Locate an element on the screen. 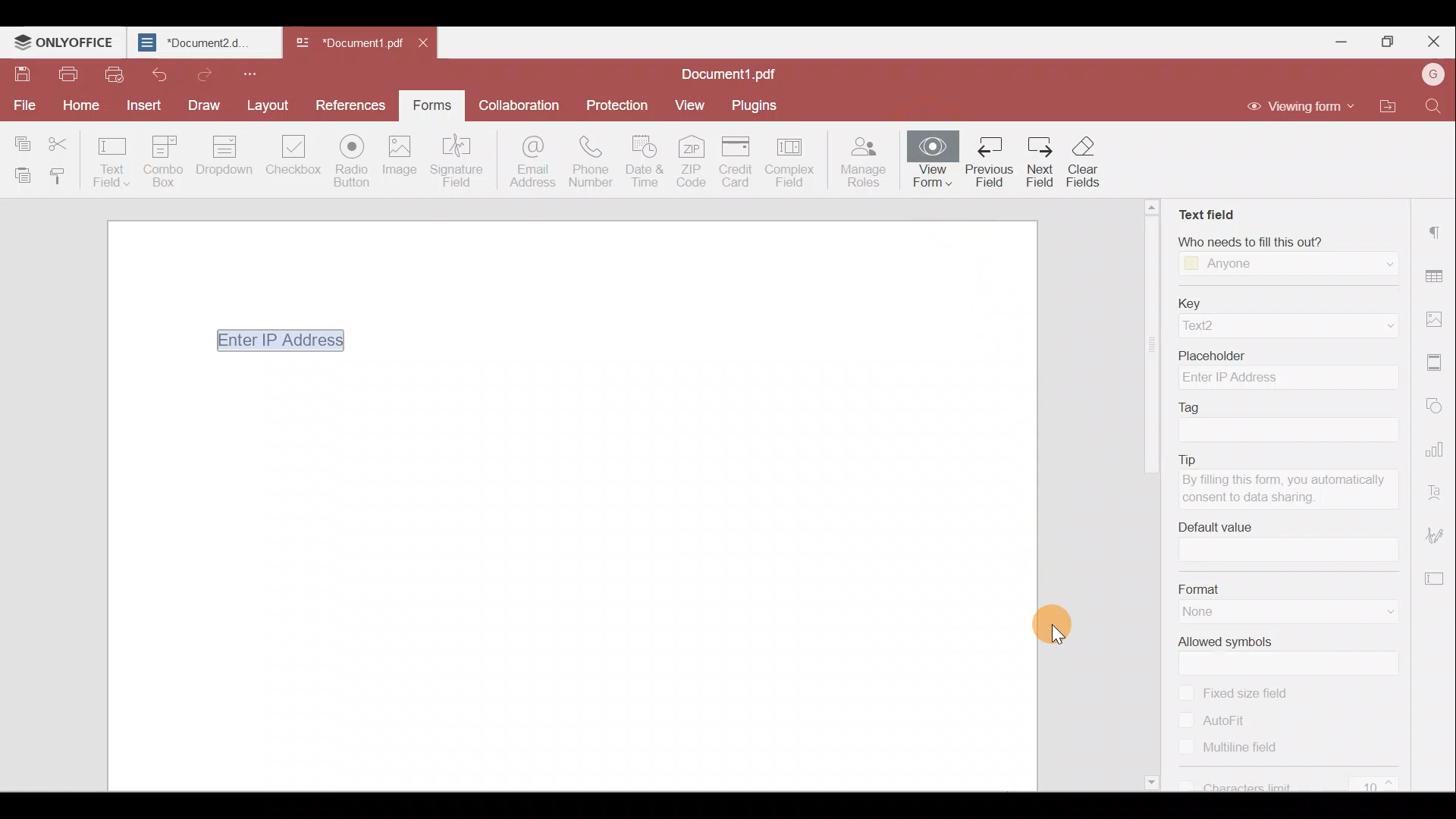  Document1.pdf is located at coordinates (737, 71).